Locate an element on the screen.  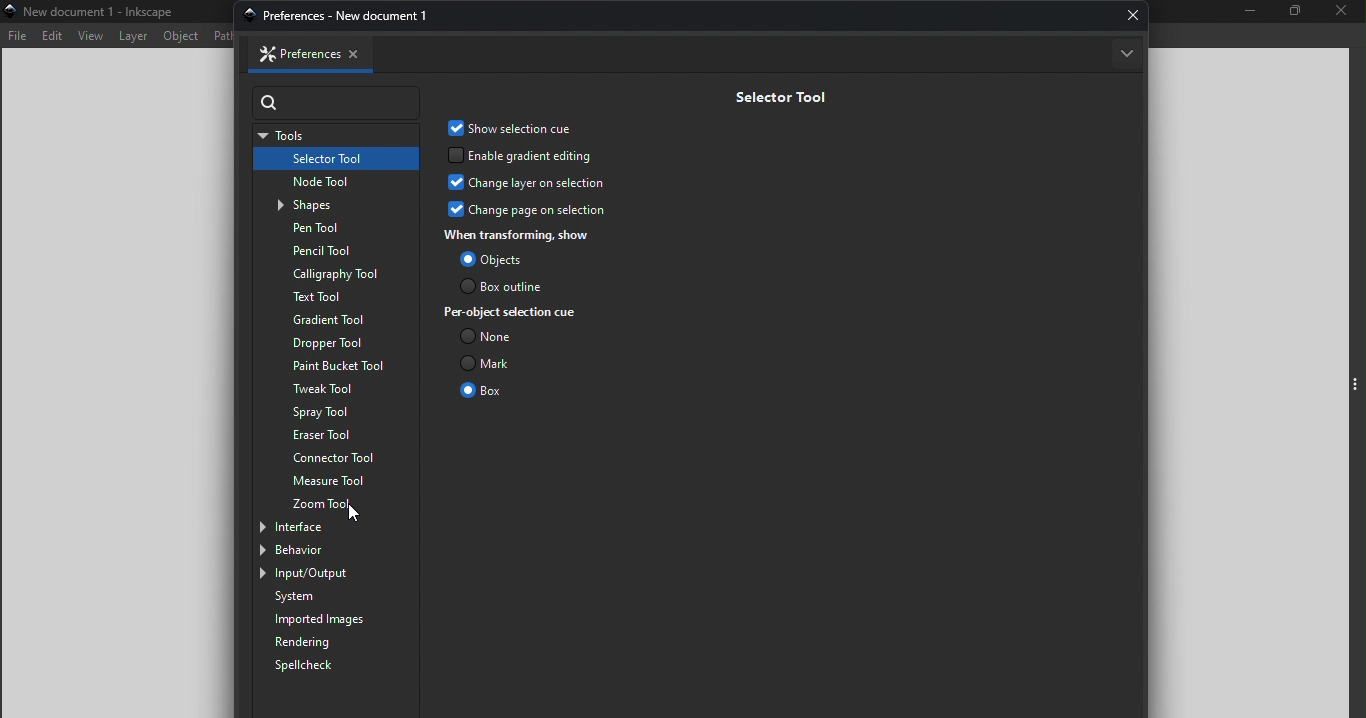
cursor is located at coordinates (354, 514).